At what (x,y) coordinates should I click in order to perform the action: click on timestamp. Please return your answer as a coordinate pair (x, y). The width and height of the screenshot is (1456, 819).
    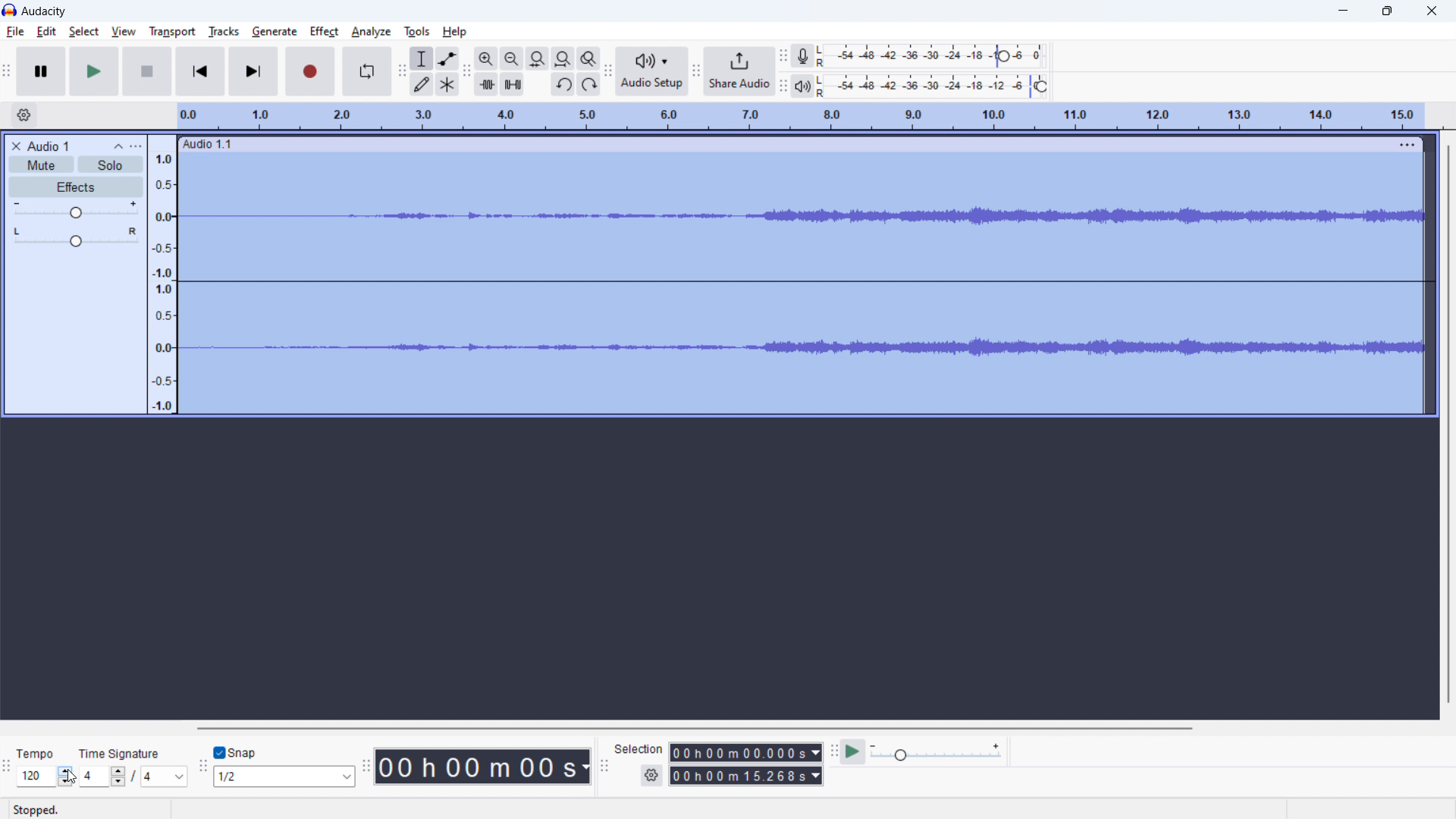
    Looking at the image, I should click on (485, 767).